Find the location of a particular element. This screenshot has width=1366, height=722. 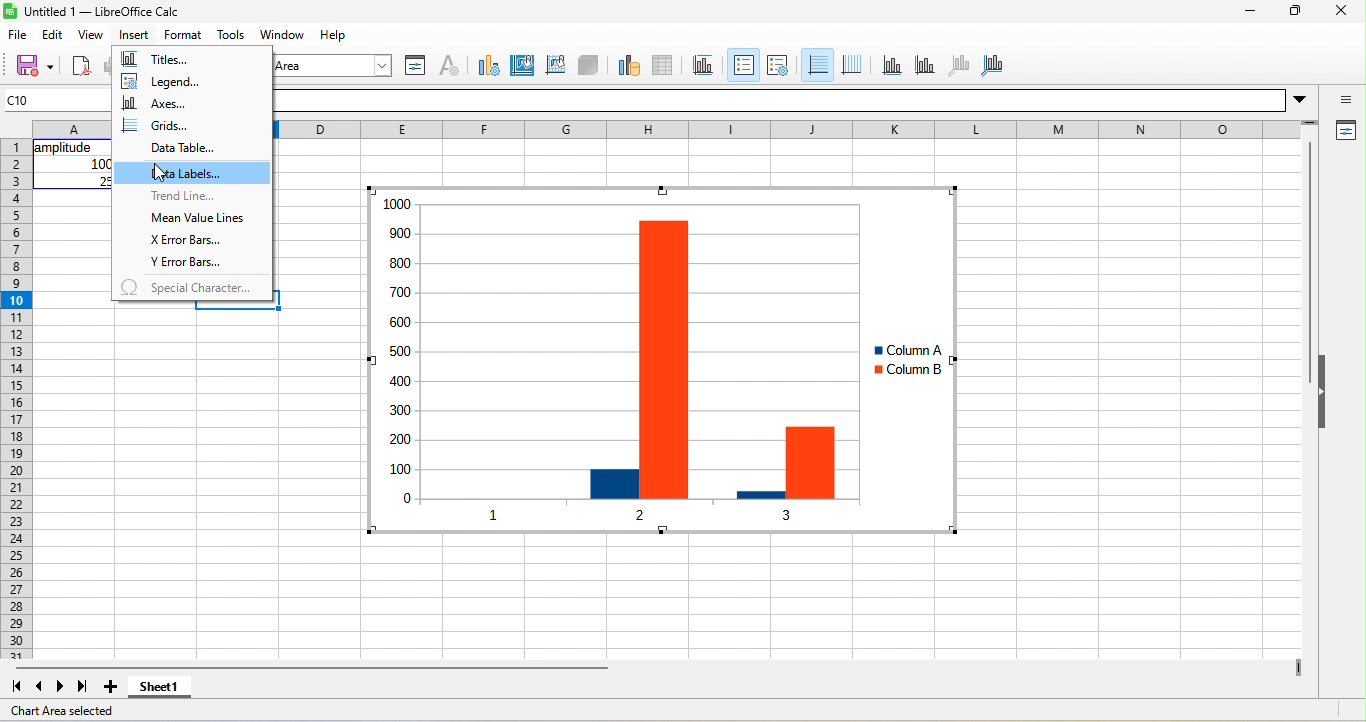

horizontal grids is located at coordinates (816, 66).